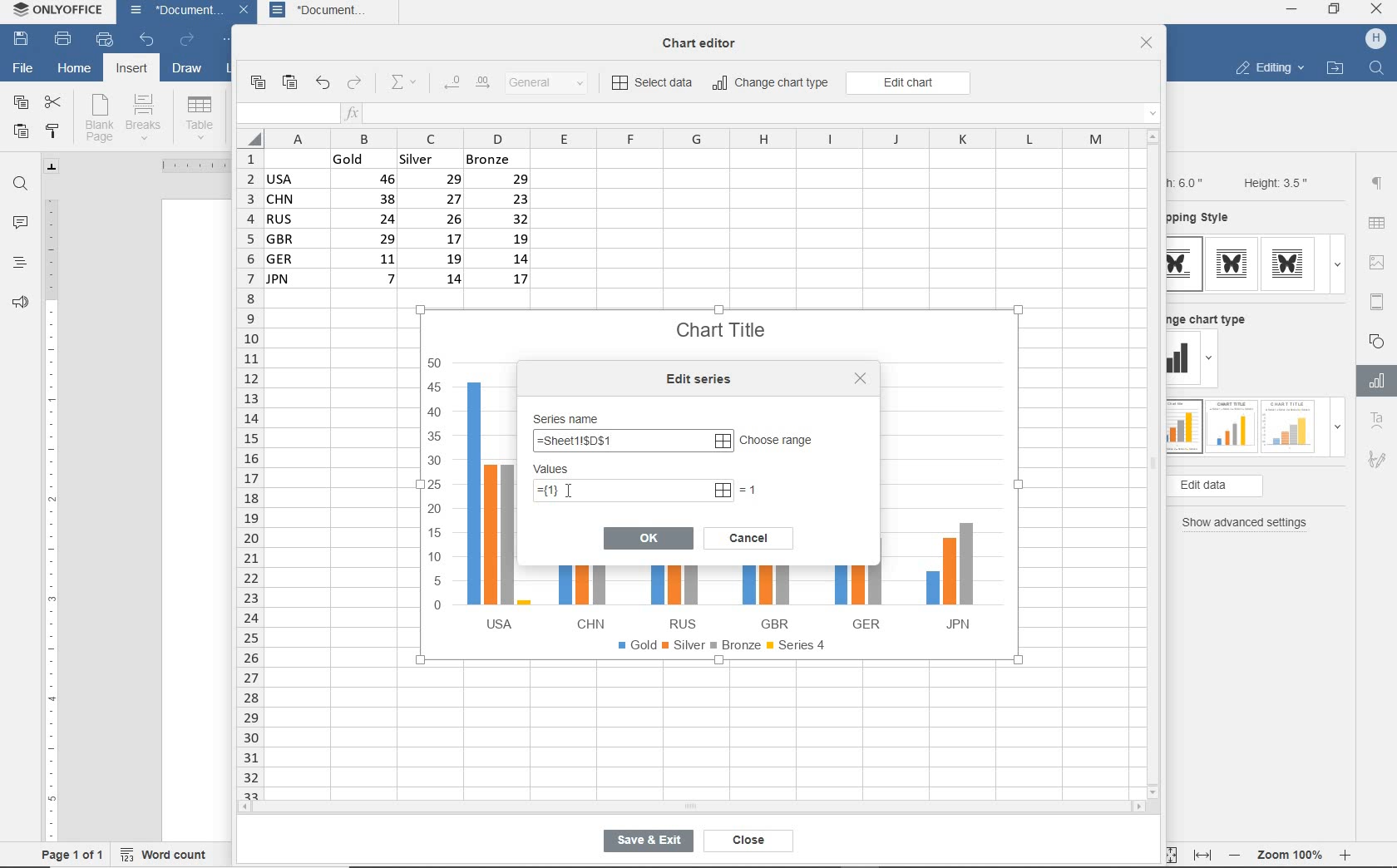 This screenshot has height=868, width=1397. What do you see at coordinates (1346, 852) in the screenshot?
I see `zoom in` at bounding box center [1346, 852].